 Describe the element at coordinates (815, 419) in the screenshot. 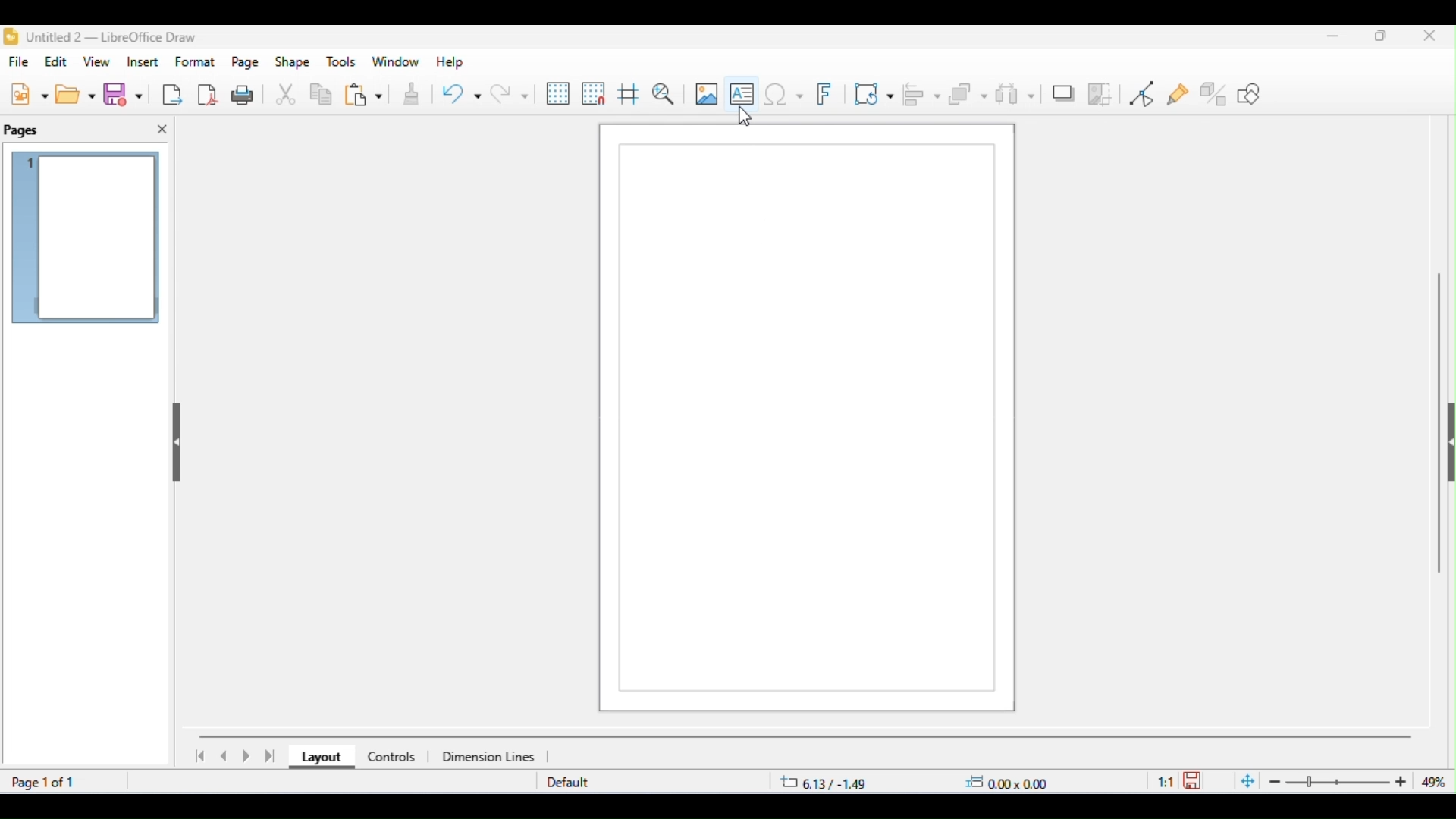

I see `drawing area` at that location.